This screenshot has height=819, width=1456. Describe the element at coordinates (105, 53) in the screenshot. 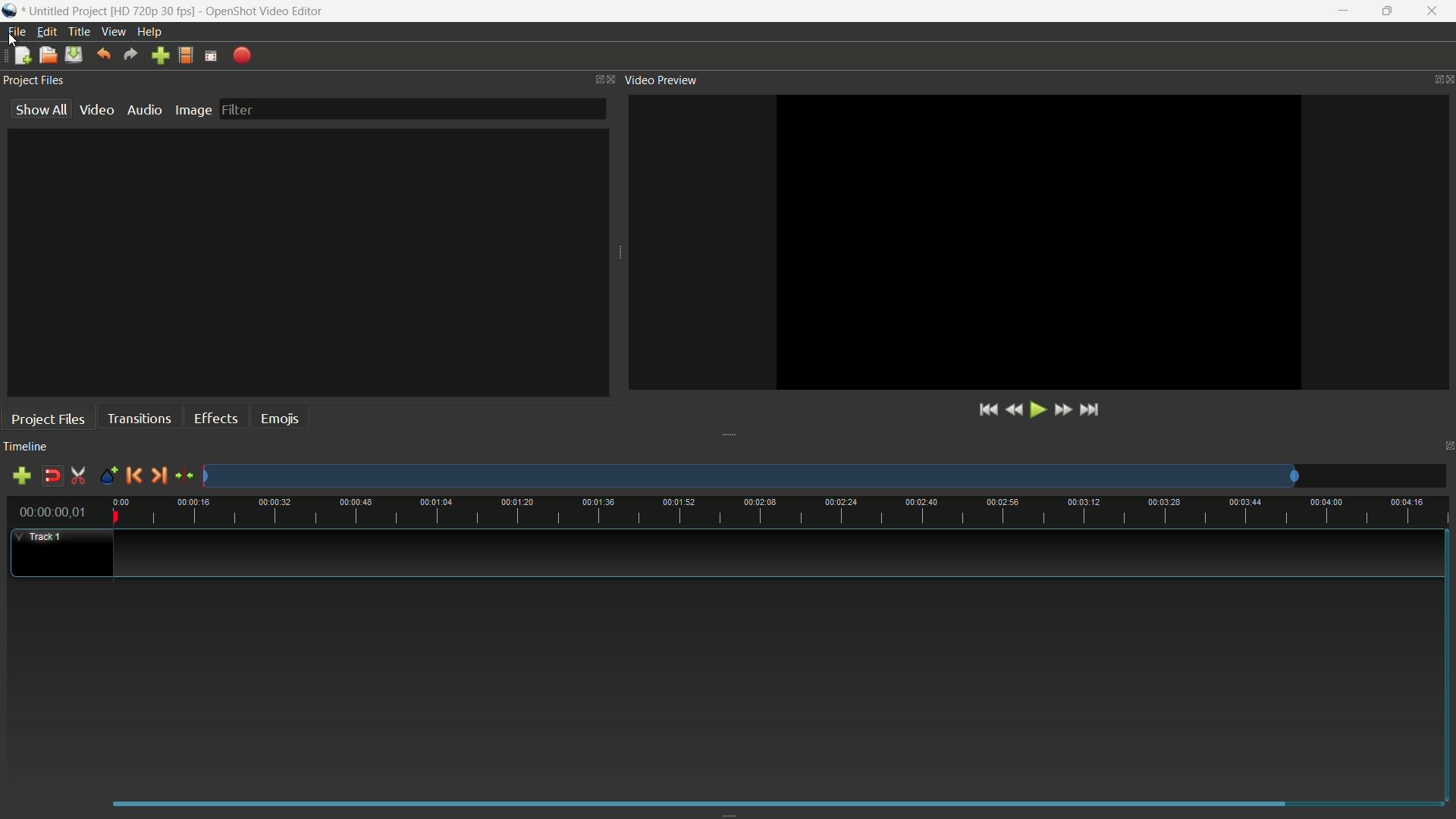

I see `undo` at that location.